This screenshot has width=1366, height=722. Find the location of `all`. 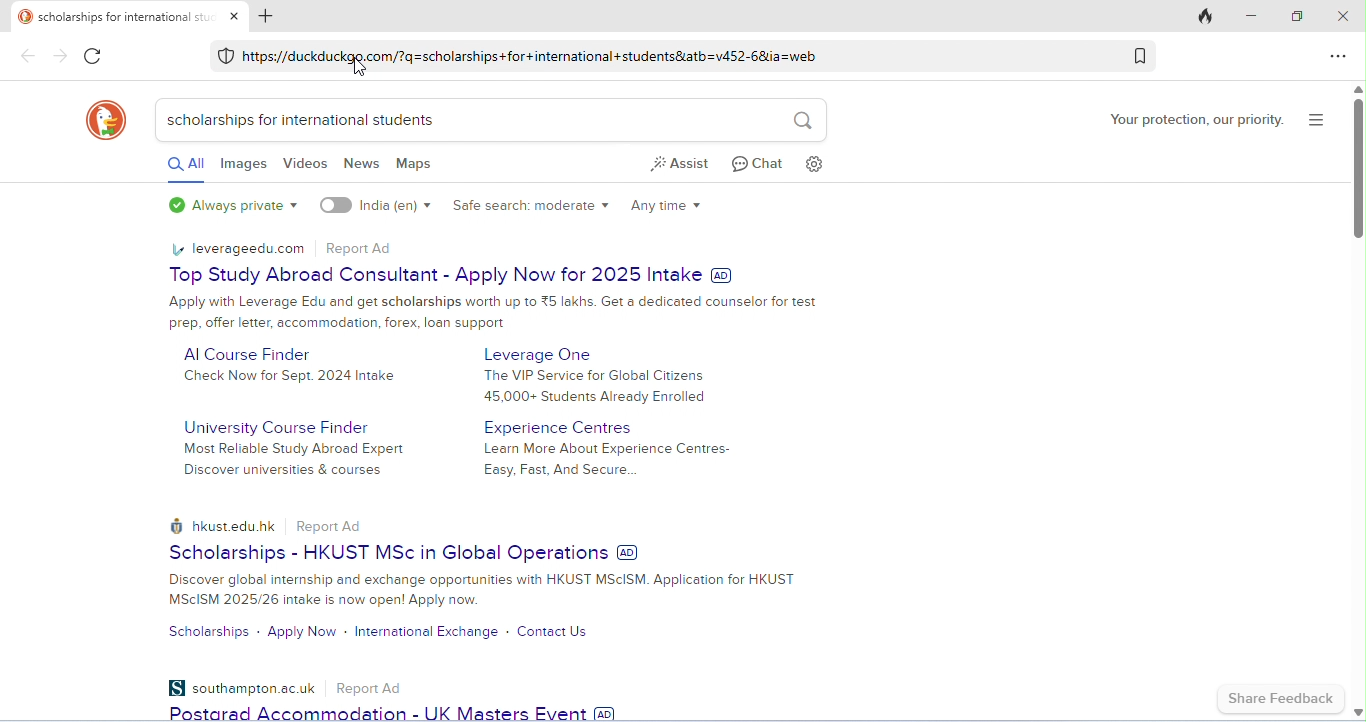

all is located at coordinates (187, 169).